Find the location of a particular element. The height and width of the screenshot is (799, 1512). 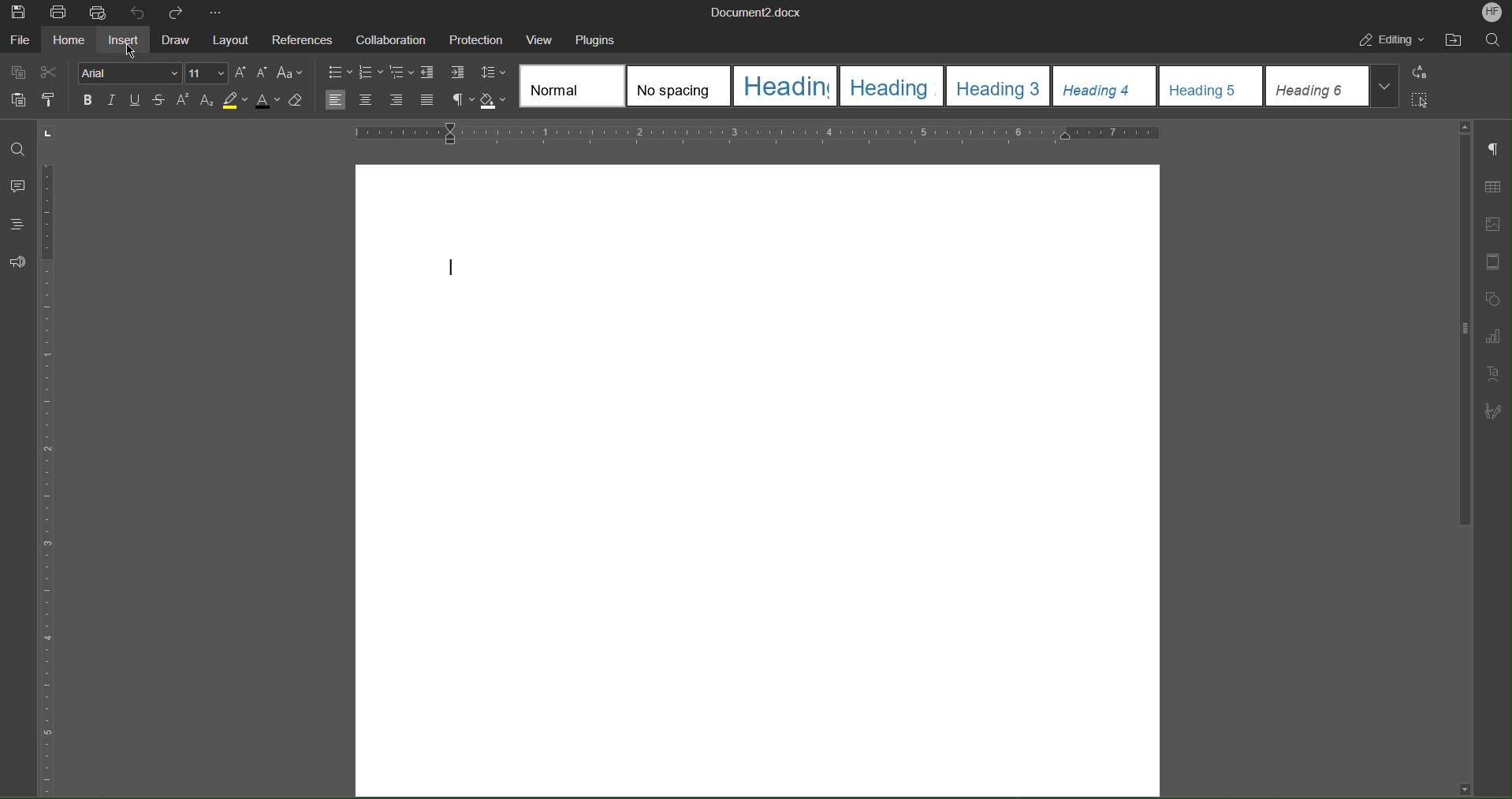

Document Title is located at coordinates (757, 11).